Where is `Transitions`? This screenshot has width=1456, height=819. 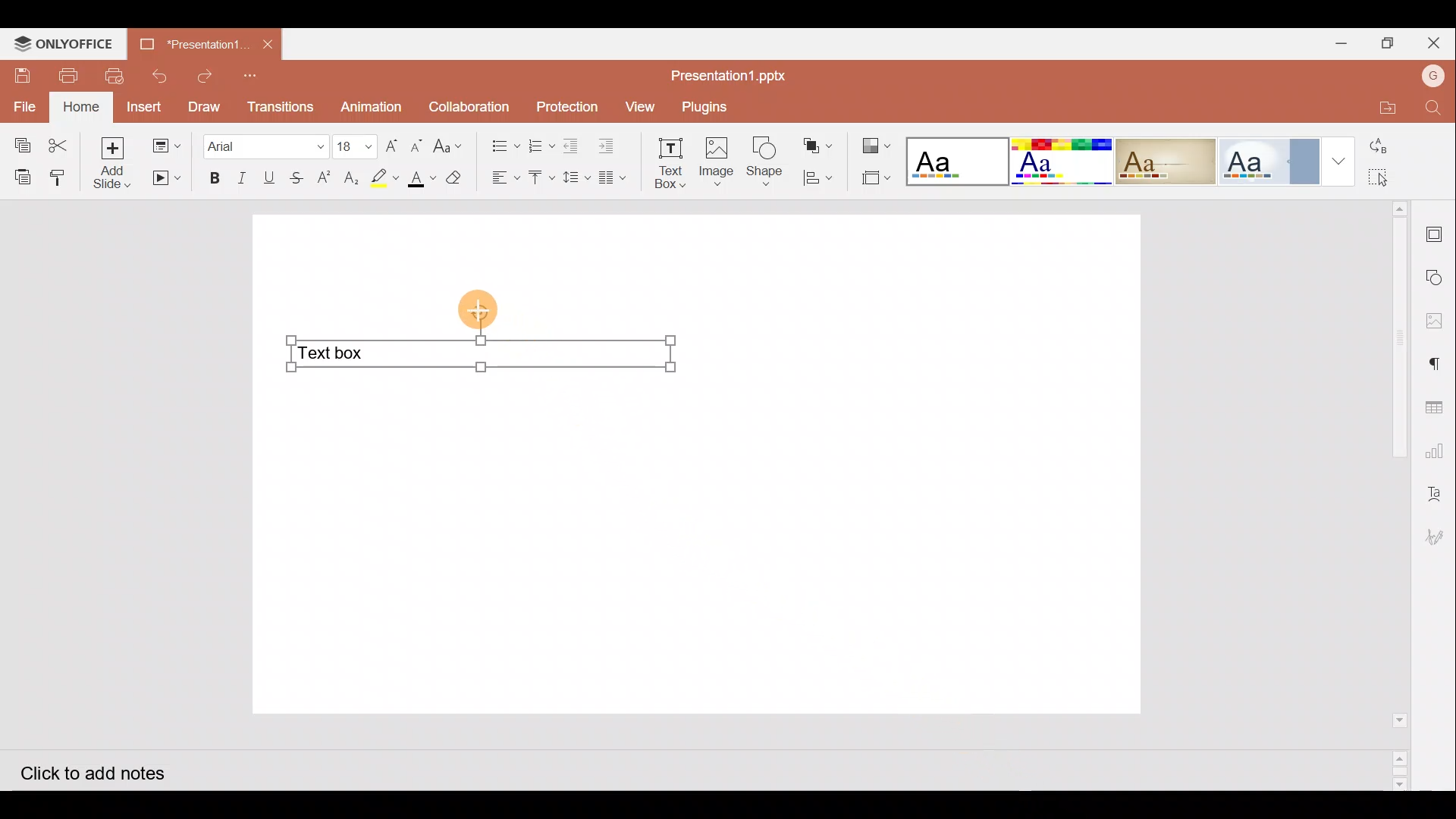
Transitions is located at coordinates (278, 106).